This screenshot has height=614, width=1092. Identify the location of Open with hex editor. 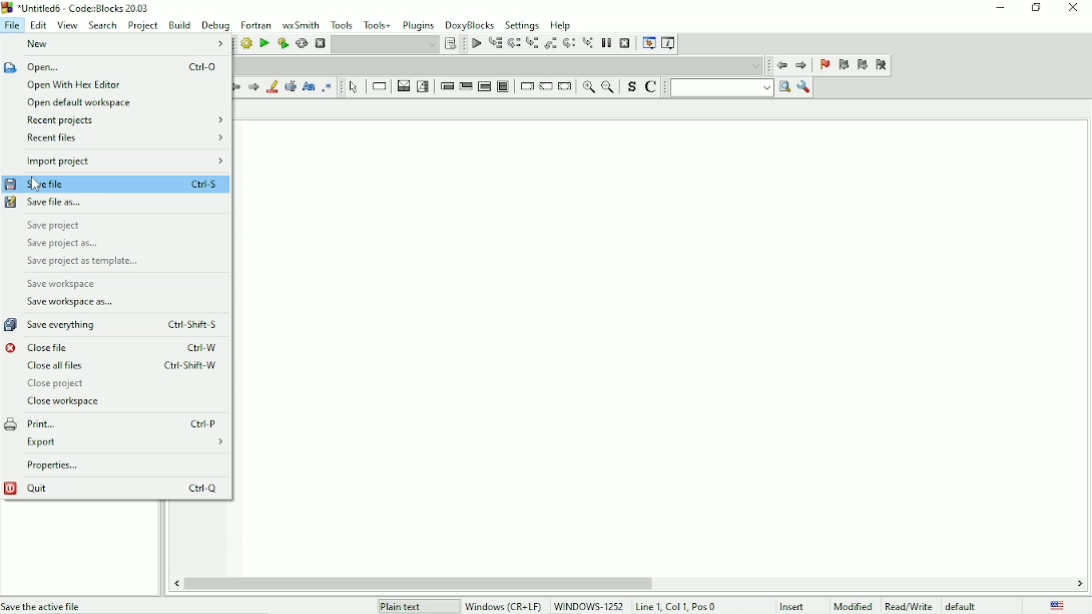
(73, 85).